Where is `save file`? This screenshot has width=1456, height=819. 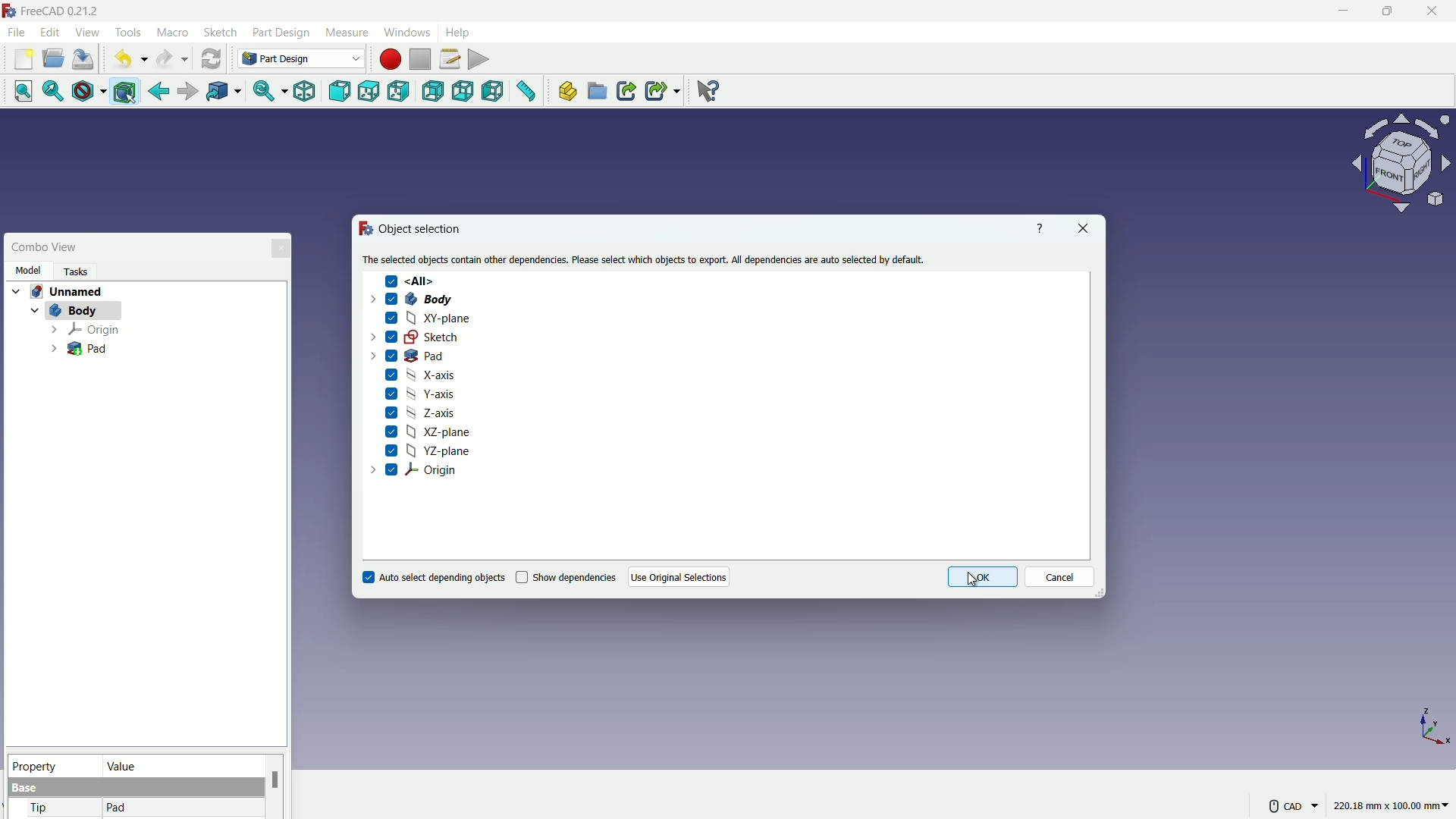 save file is located at coordinates (85, 60).